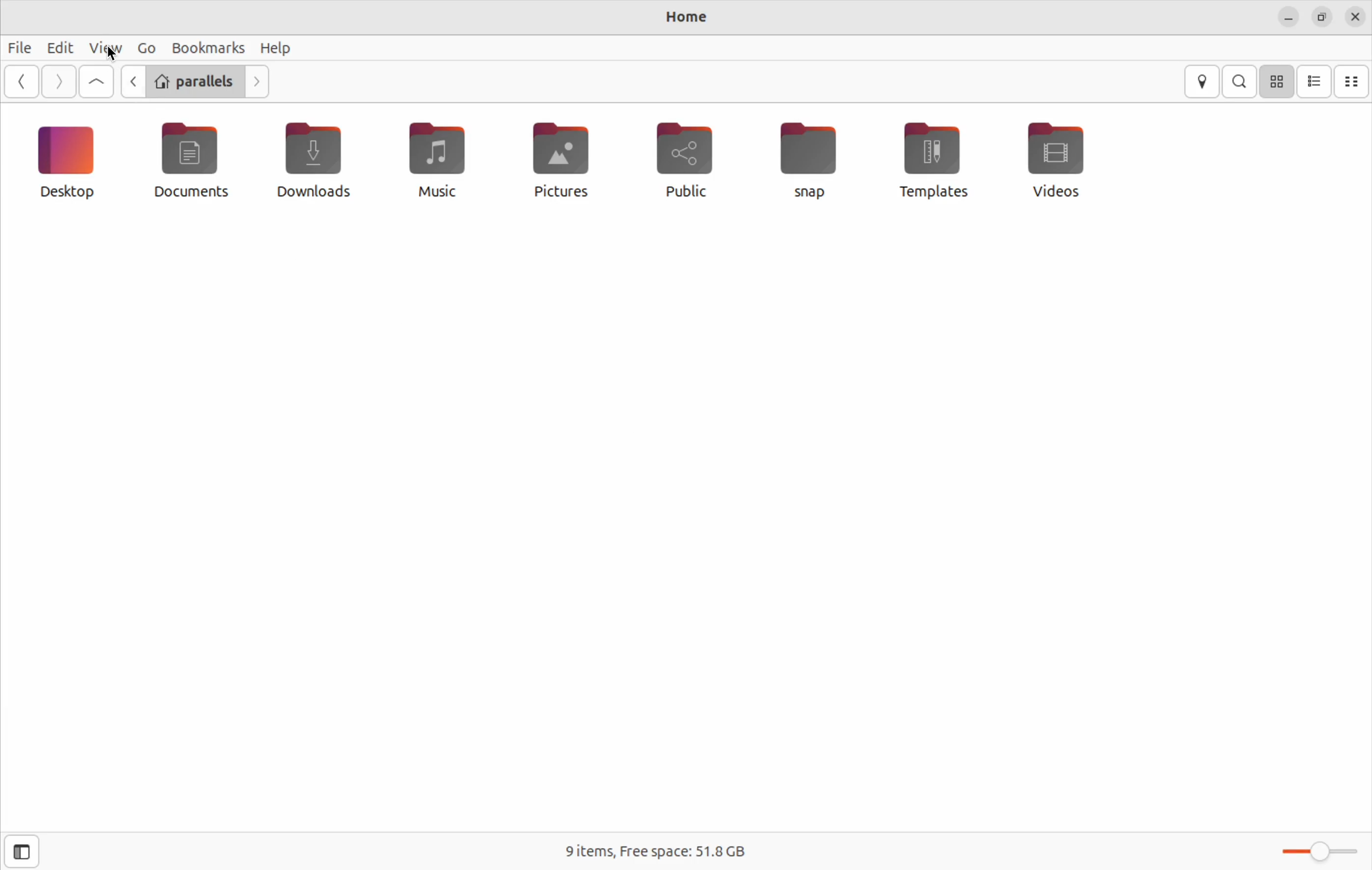 Image resolution: width=1372 pixels, height=870 pixels. What do you see at coordinates (277, 48) in the screenshot?
I see `help` at bounding box center [277, 48].